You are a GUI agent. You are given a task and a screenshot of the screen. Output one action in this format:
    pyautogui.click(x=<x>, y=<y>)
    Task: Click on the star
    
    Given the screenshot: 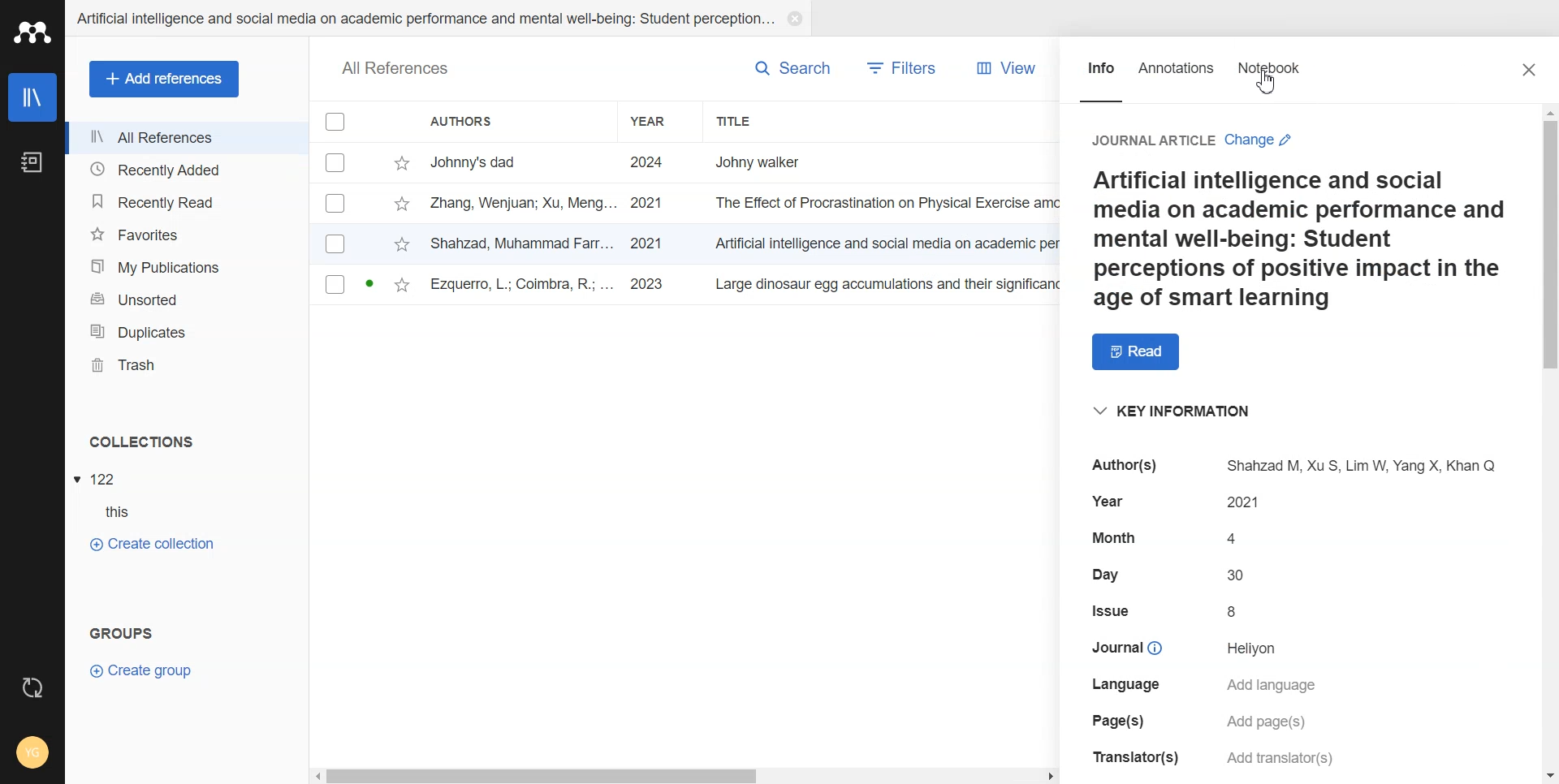 What is the action you would take?
    pyautogui.click(x=401, y=205)
    